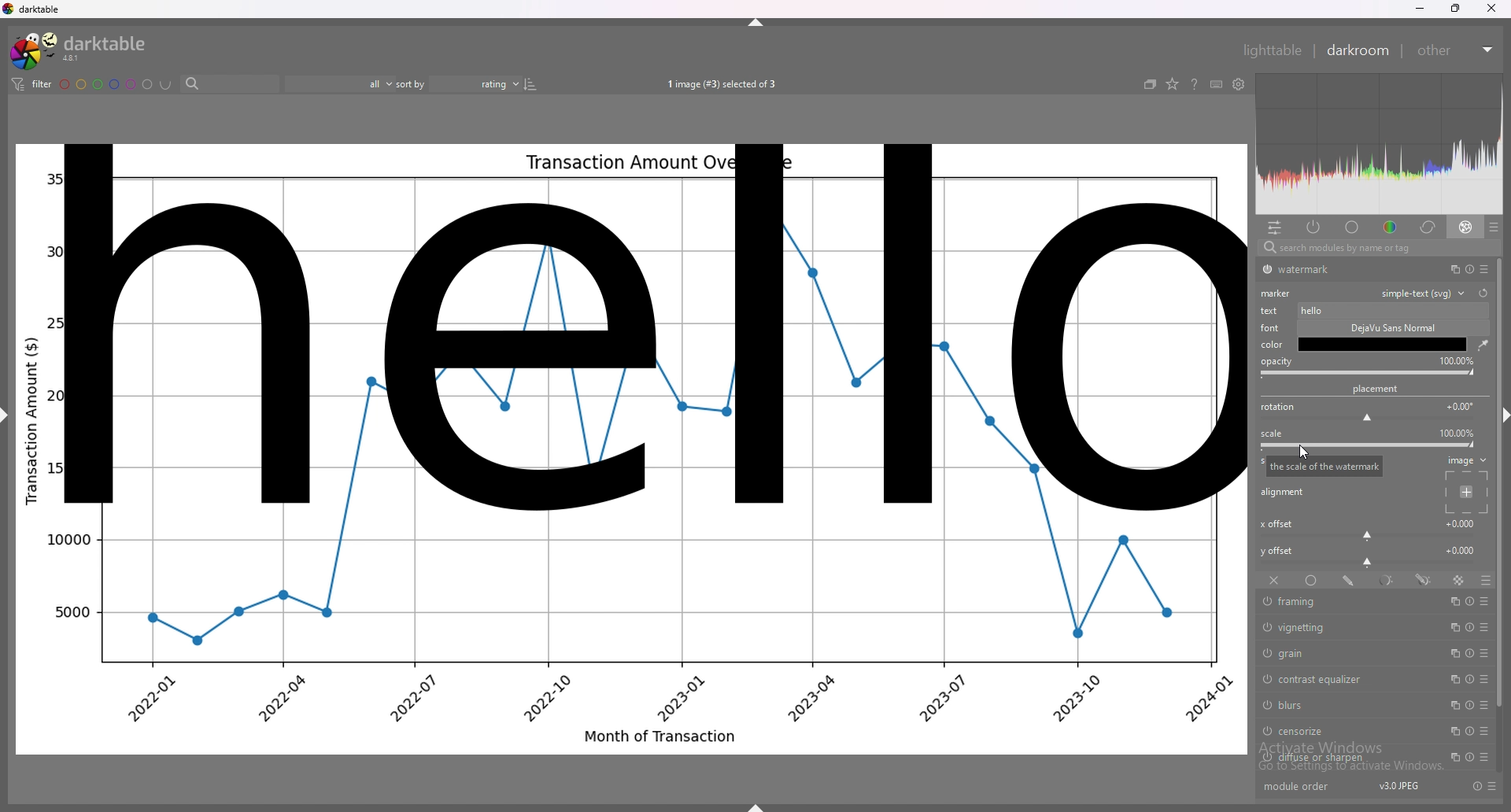 The image size is (1511, 812). Describe the element at coordinates (1476, 786) in the screenshot. I see `reset` at that location.